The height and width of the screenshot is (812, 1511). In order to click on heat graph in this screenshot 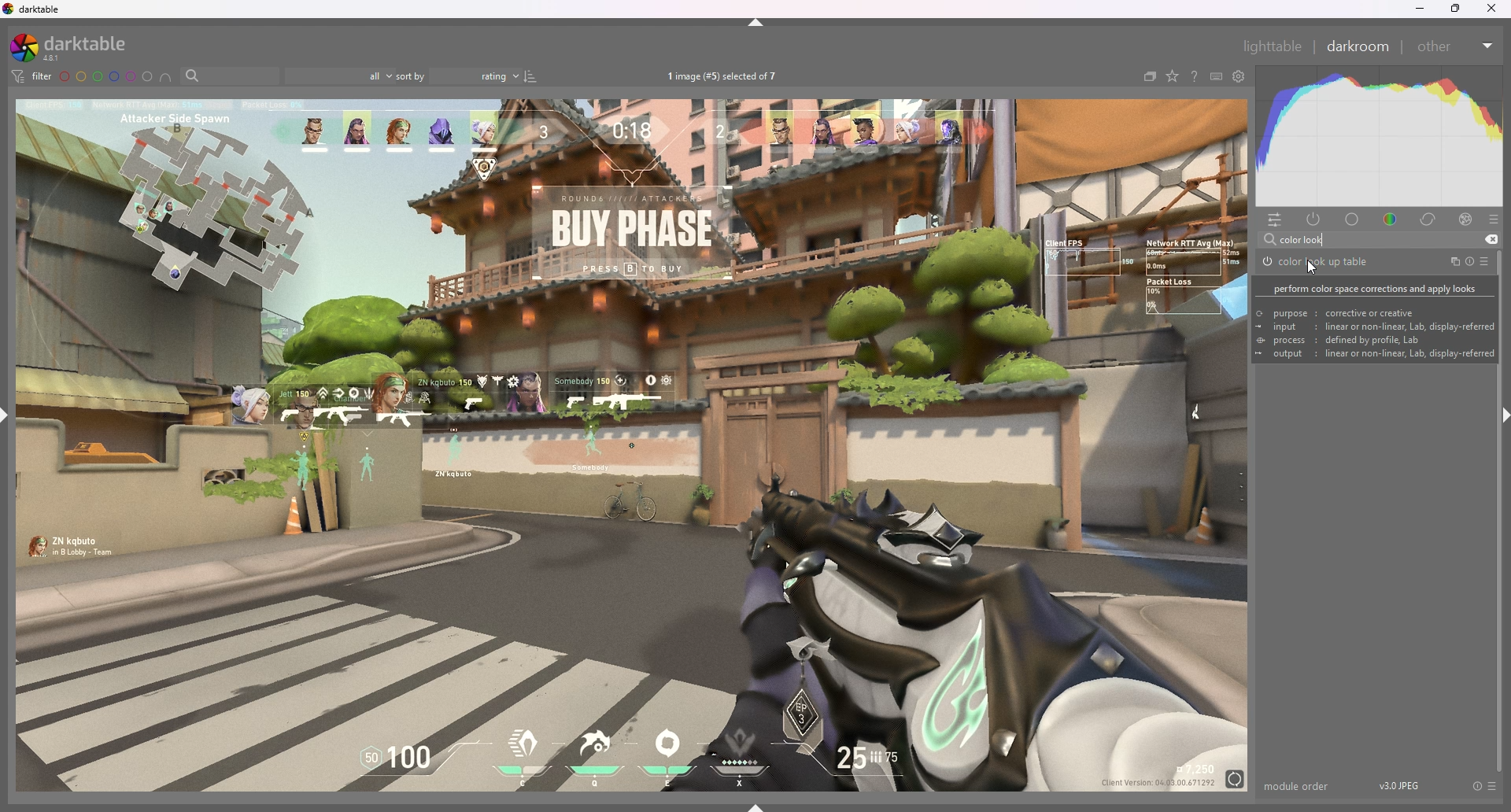, I will do `click(1379, 136)`.